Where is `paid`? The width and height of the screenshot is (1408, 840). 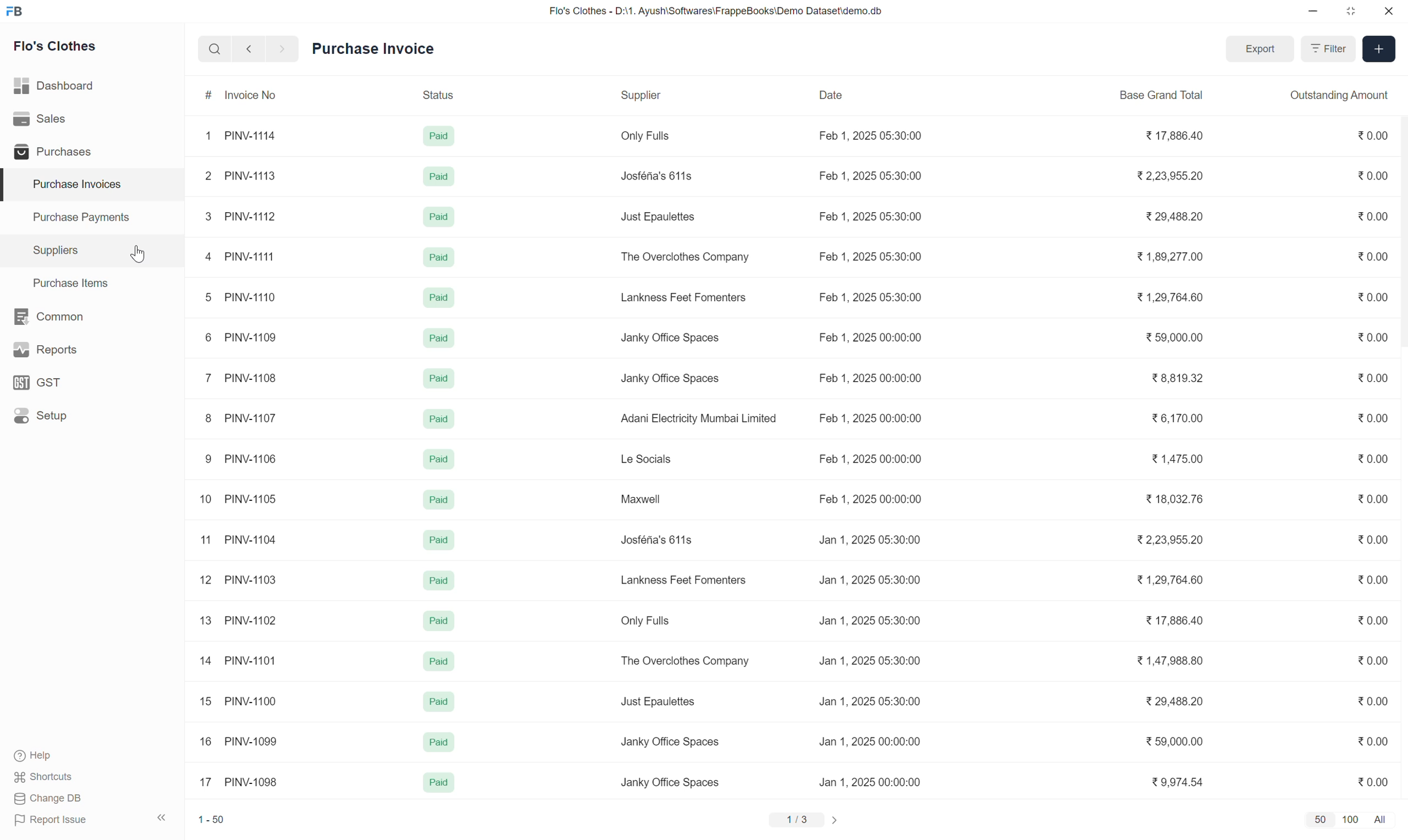 paid is located at coordinates (439, 338).